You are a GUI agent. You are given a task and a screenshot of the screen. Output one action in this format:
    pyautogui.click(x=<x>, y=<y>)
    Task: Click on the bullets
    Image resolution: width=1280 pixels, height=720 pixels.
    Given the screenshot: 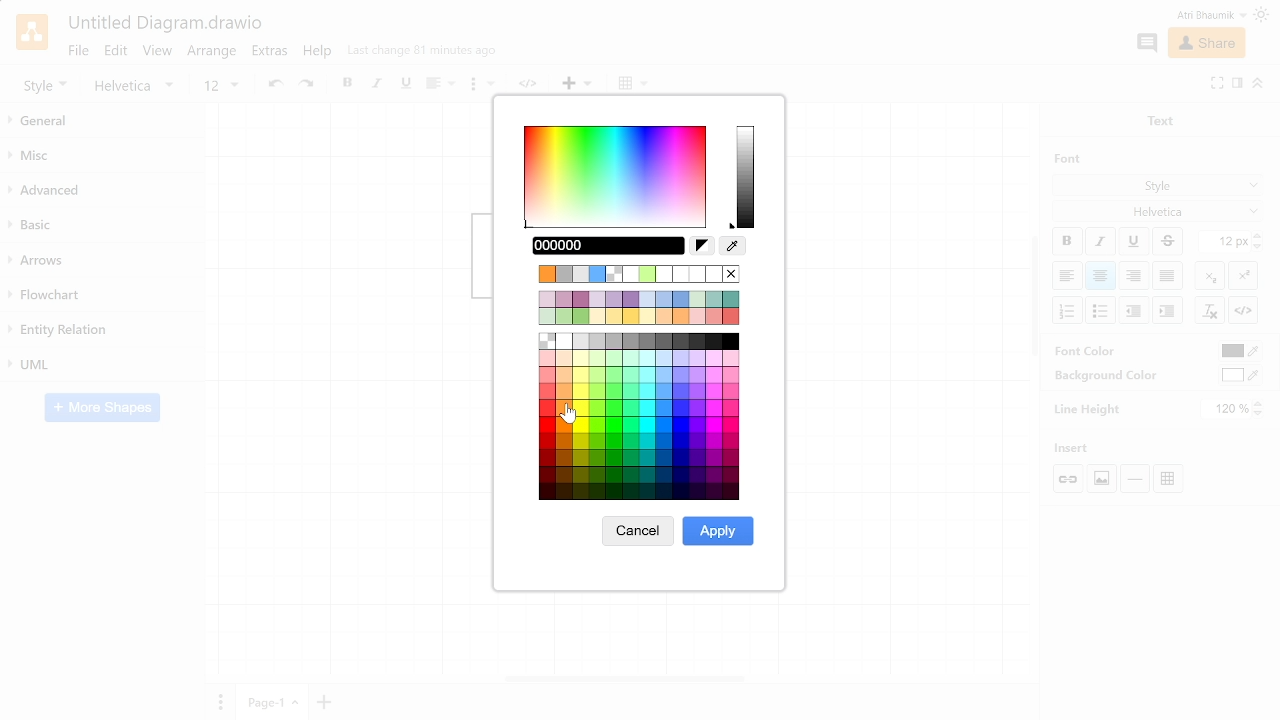 What is the action you would take?
    pyautogui.click(x=481, y=87)
    